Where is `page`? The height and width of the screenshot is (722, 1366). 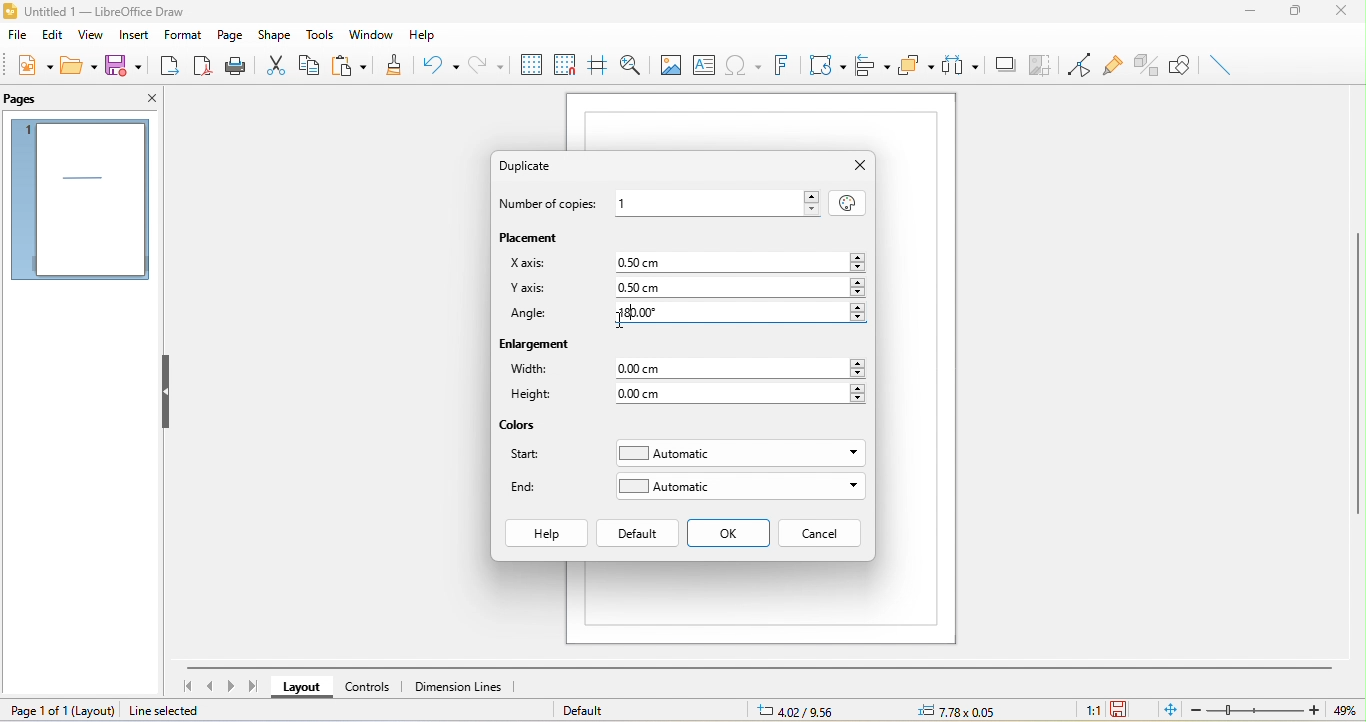
page is located at coordinates (231, 33).